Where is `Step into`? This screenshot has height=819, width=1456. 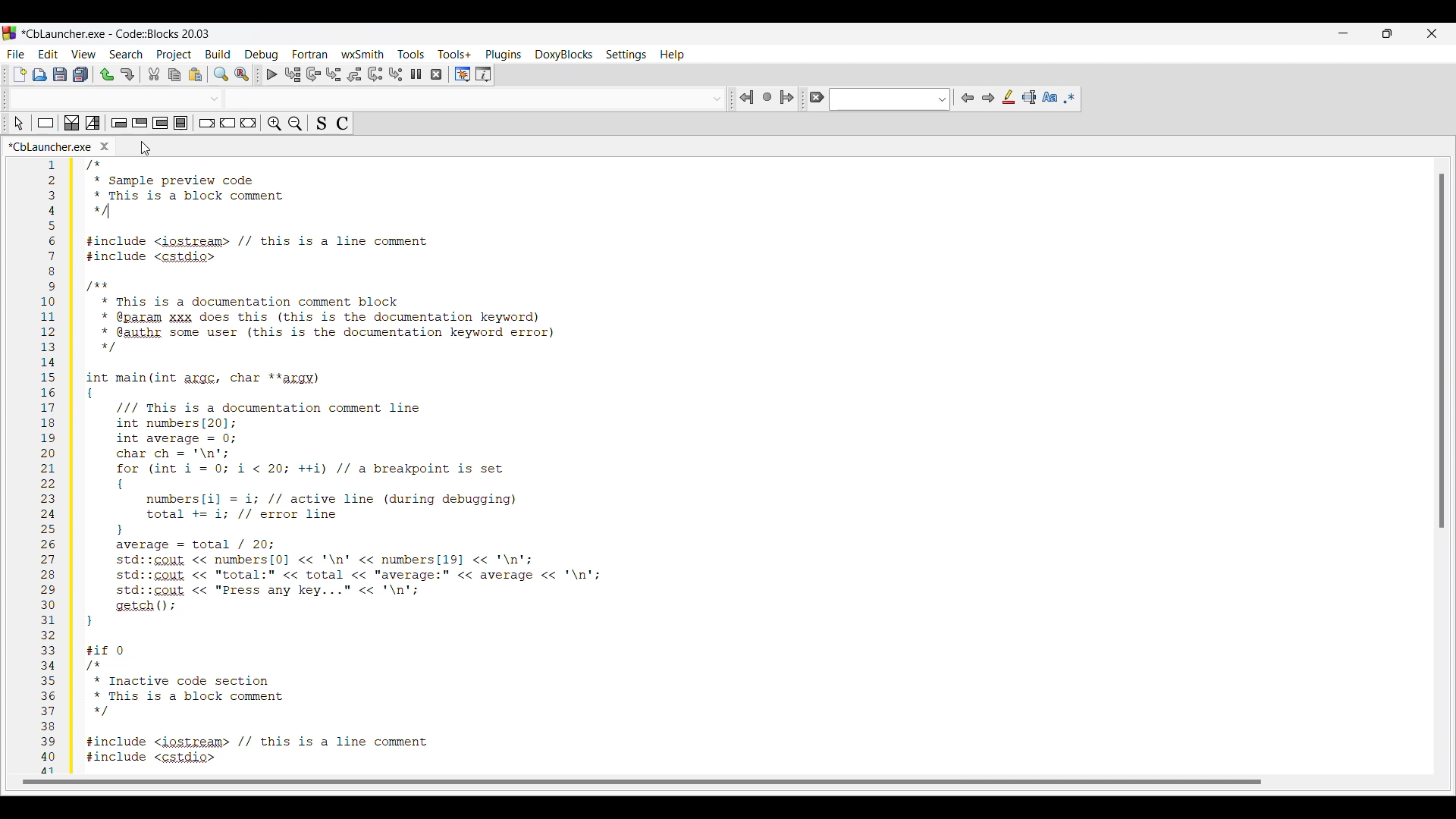
Step into is located at coordinates (334, 74).